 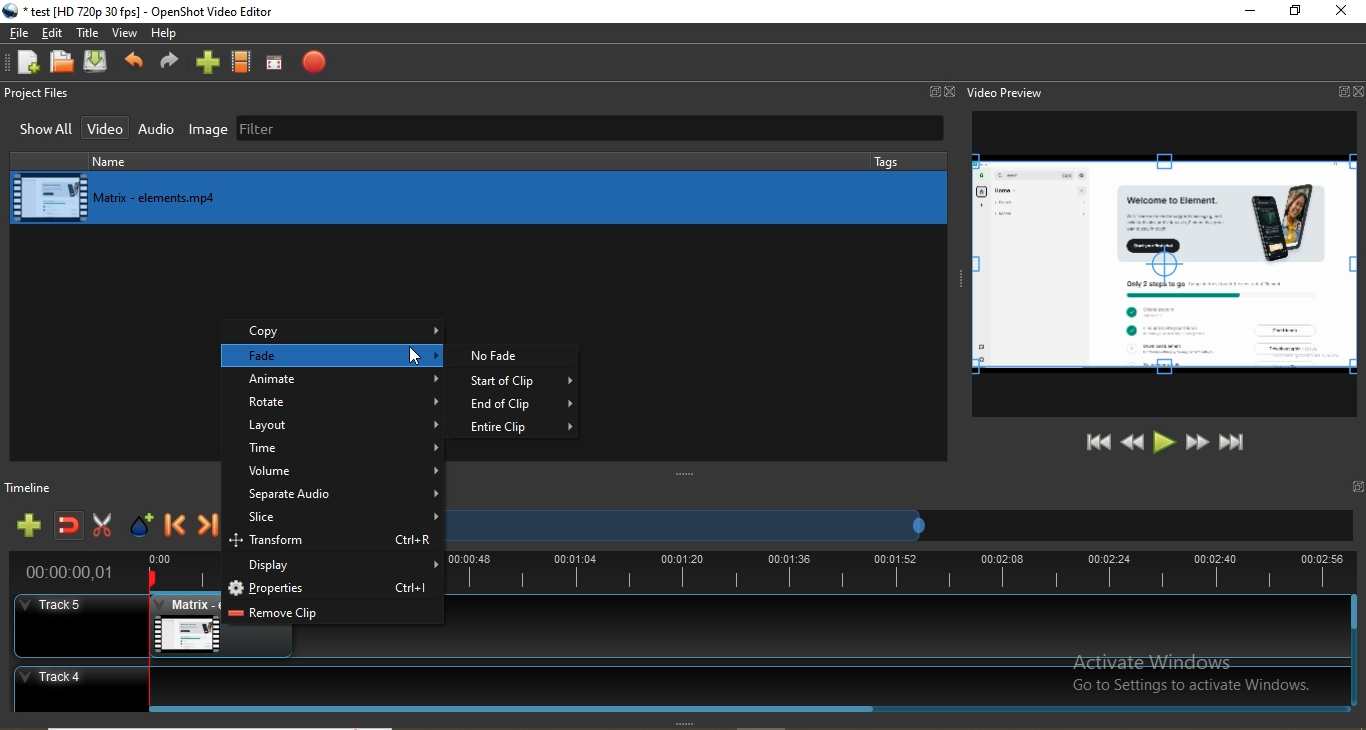 I want to click on Image, so click(x=208, y=132).